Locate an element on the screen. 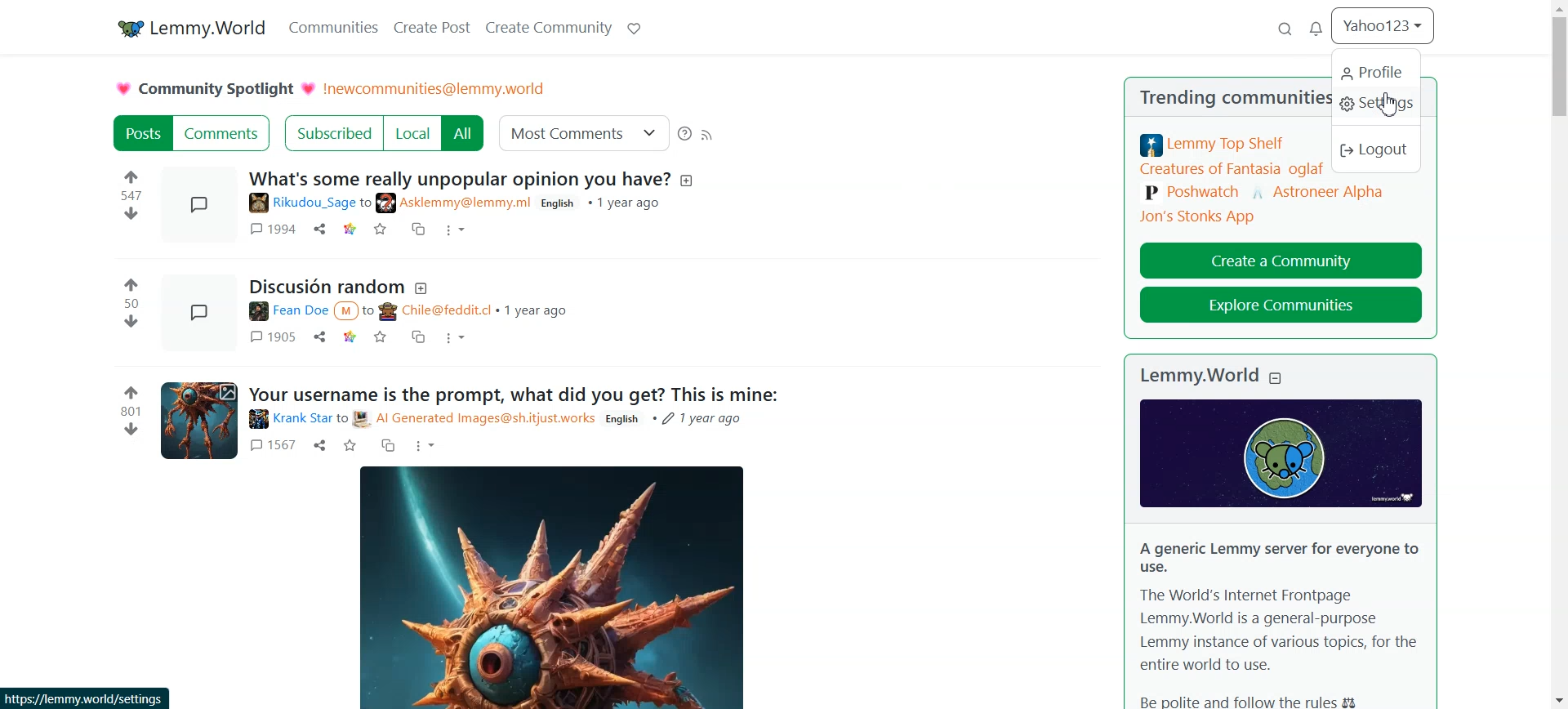 This screenshot has height=709, width=1568. Poshwatch is located at coordinates (1192, 194).